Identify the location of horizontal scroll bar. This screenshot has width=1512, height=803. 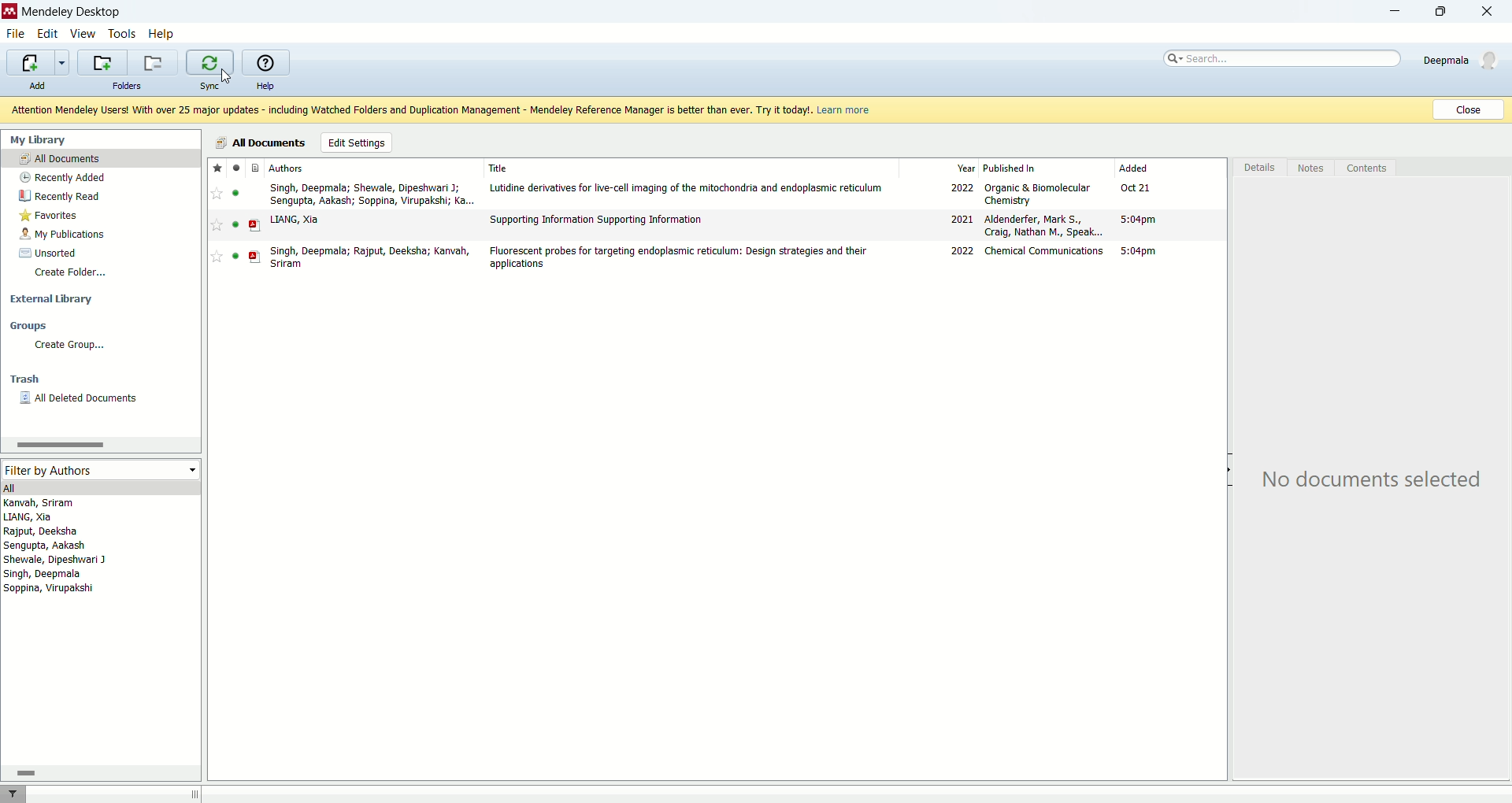
(100, 773).